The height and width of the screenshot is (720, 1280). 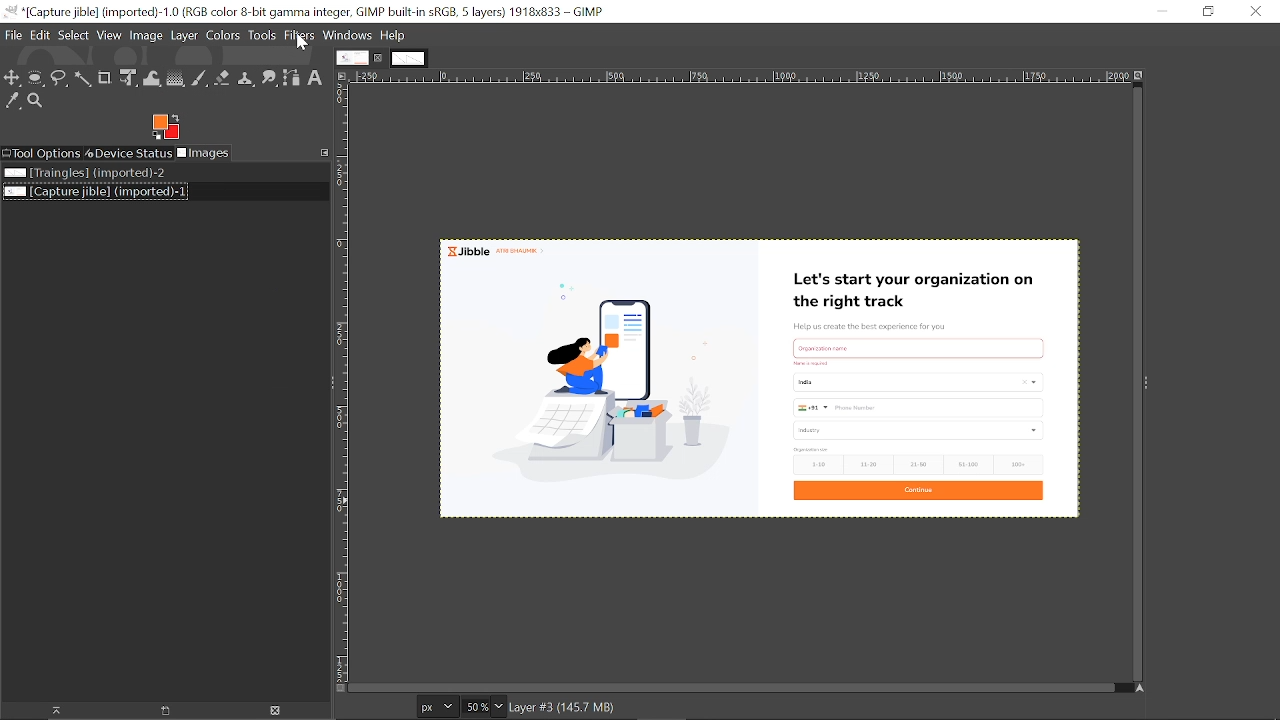 What do you see at coordinates (1149, 382) in the screenshot?
I see `Side bar menu` at bounding box center [1149, 382].